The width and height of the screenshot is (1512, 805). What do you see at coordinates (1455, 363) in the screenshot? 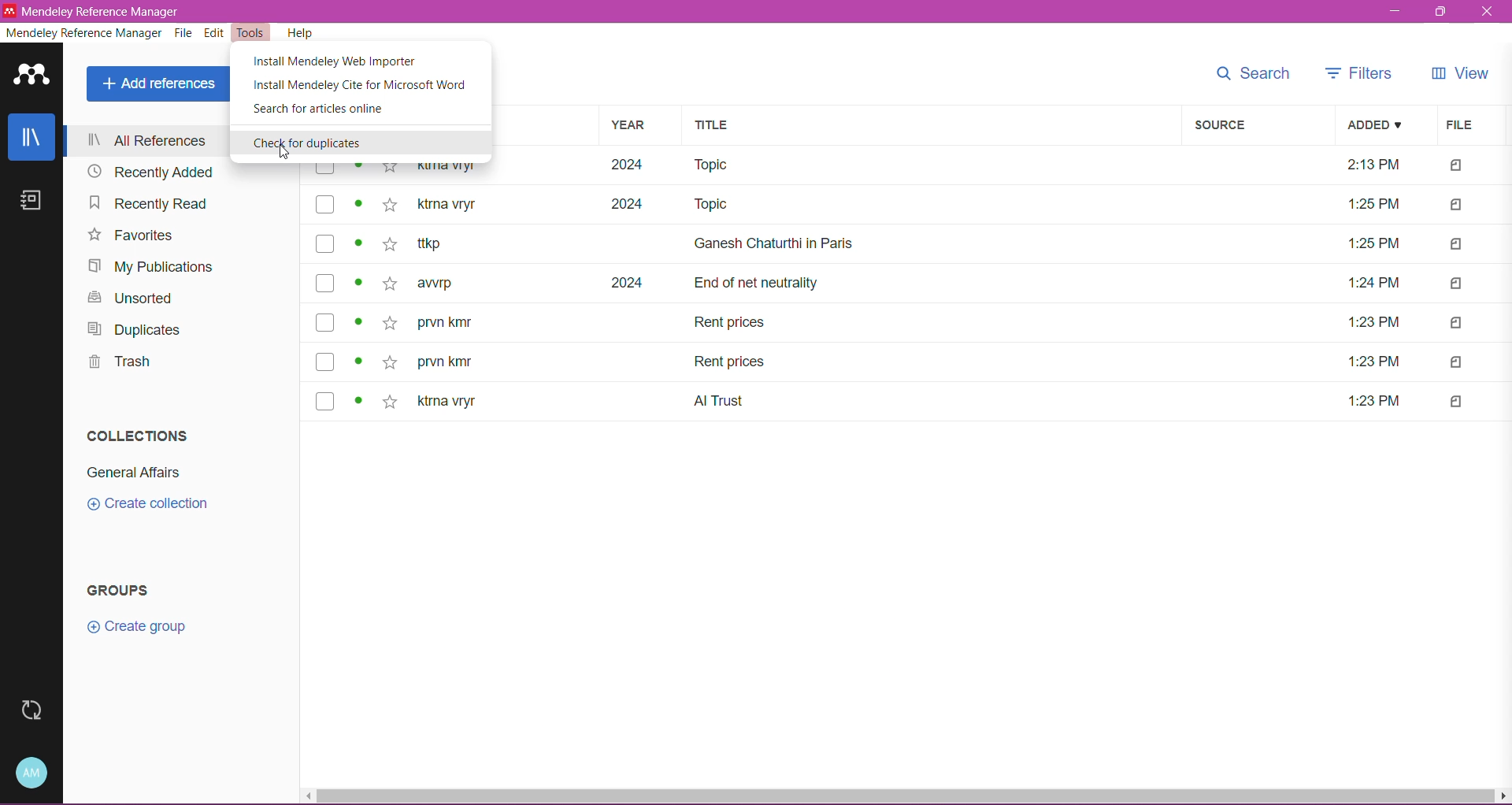
I see `file` at bounding box center [1455, 363].